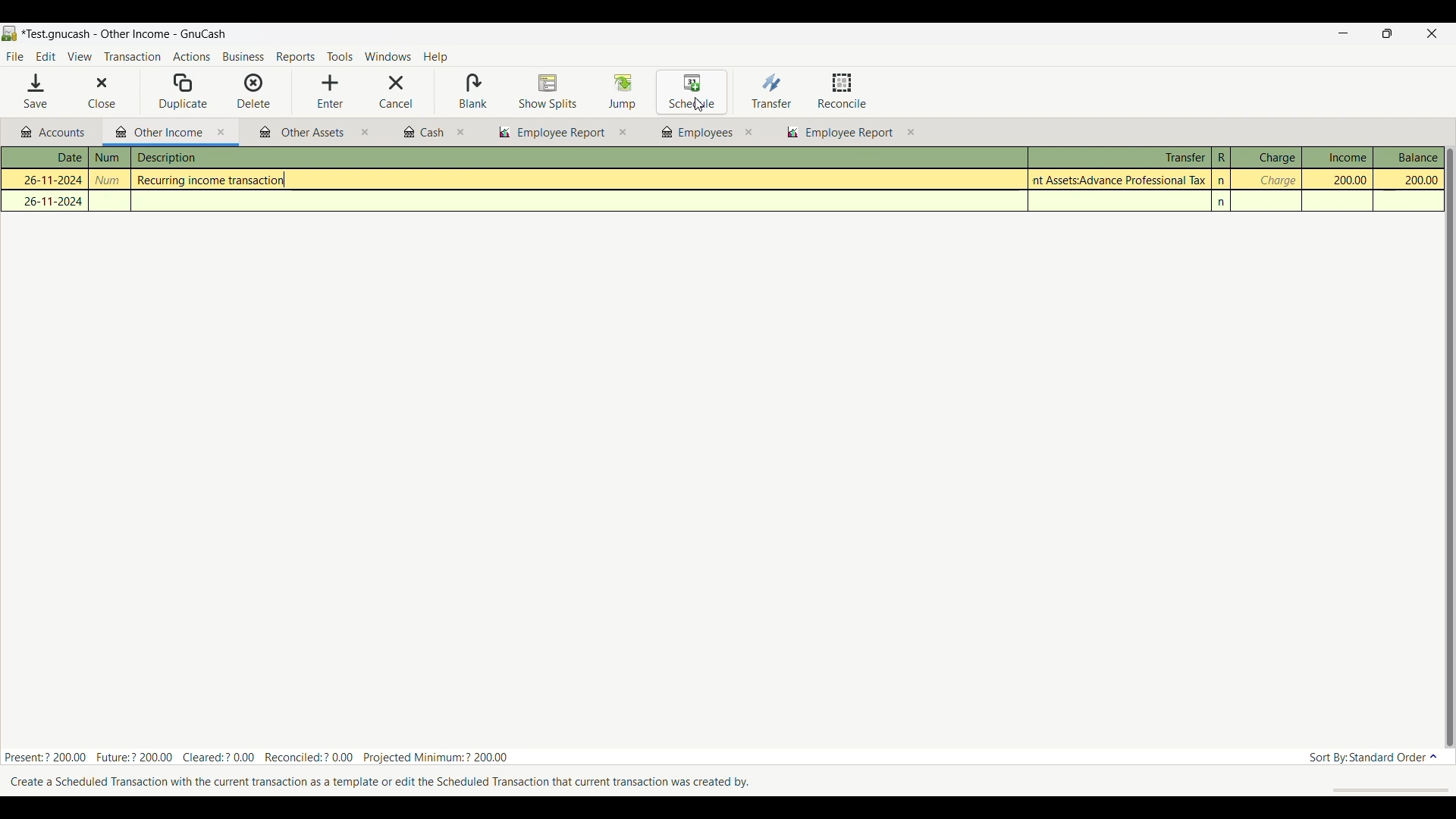 The height and width of the screenshot is (819, 1456). Describe the element at coordinates (1342, 180) in the screenshot. I see `200.00` at that location.